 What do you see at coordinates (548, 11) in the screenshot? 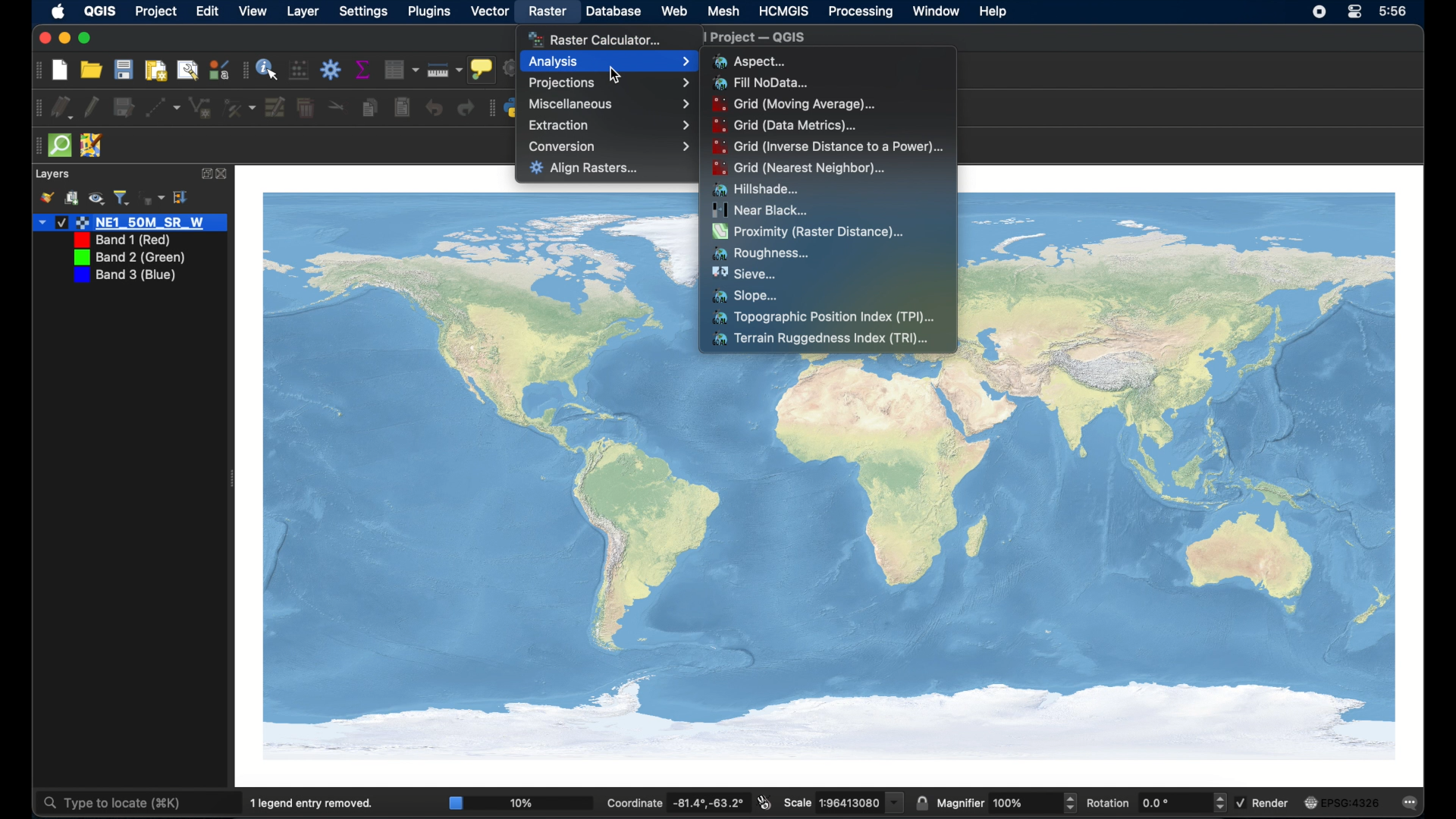
I see `raster` at bounding box center [548, 11].